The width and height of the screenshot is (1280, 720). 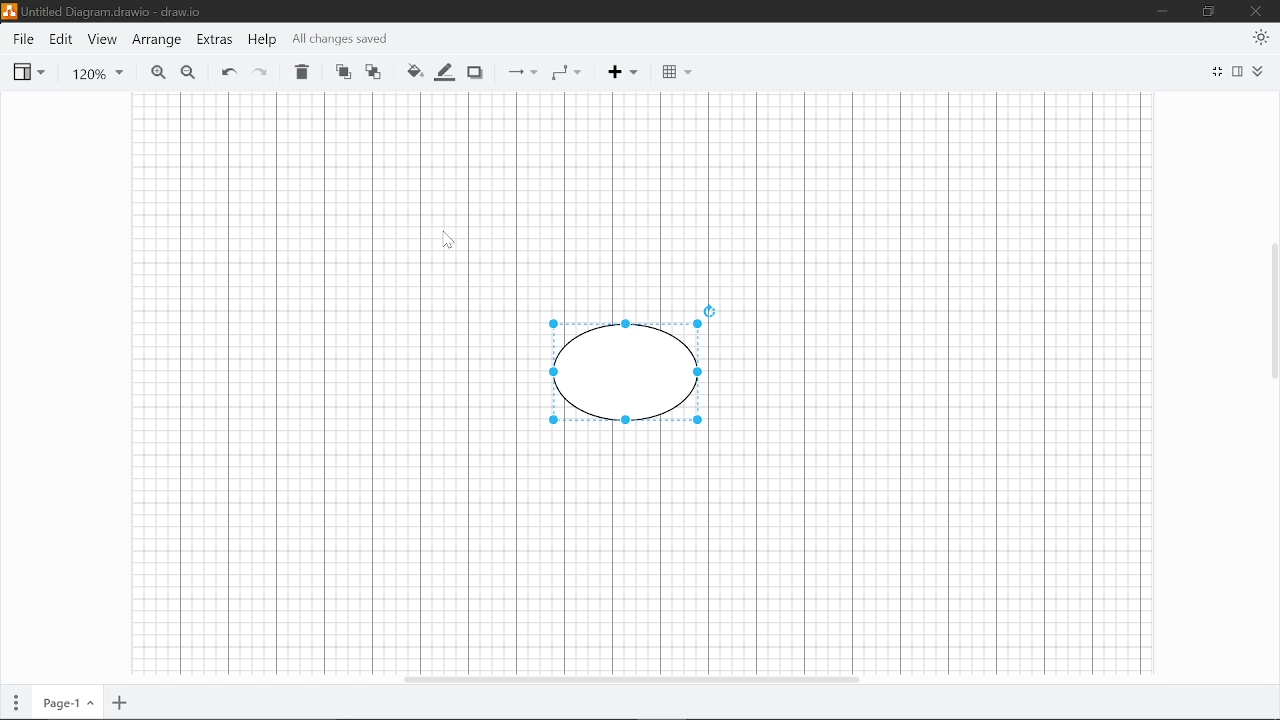 I want to click on view, so click(x=30, y=71).